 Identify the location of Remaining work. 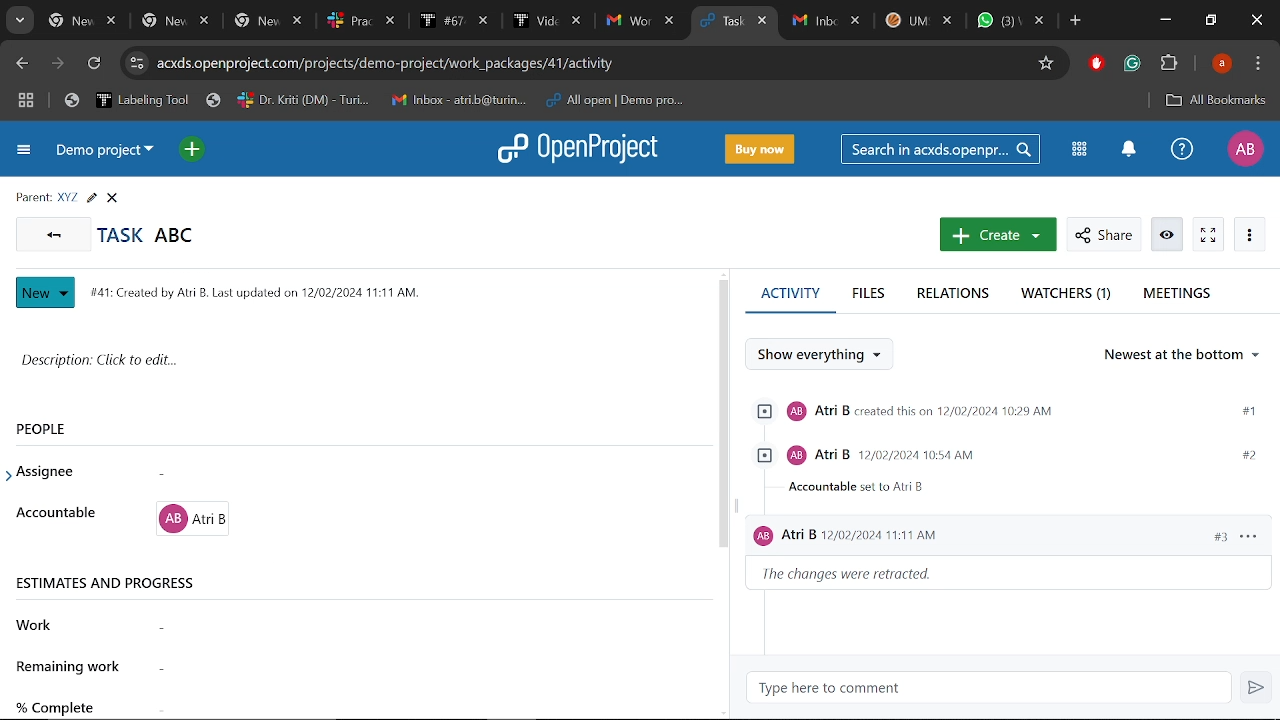
(72, 666).